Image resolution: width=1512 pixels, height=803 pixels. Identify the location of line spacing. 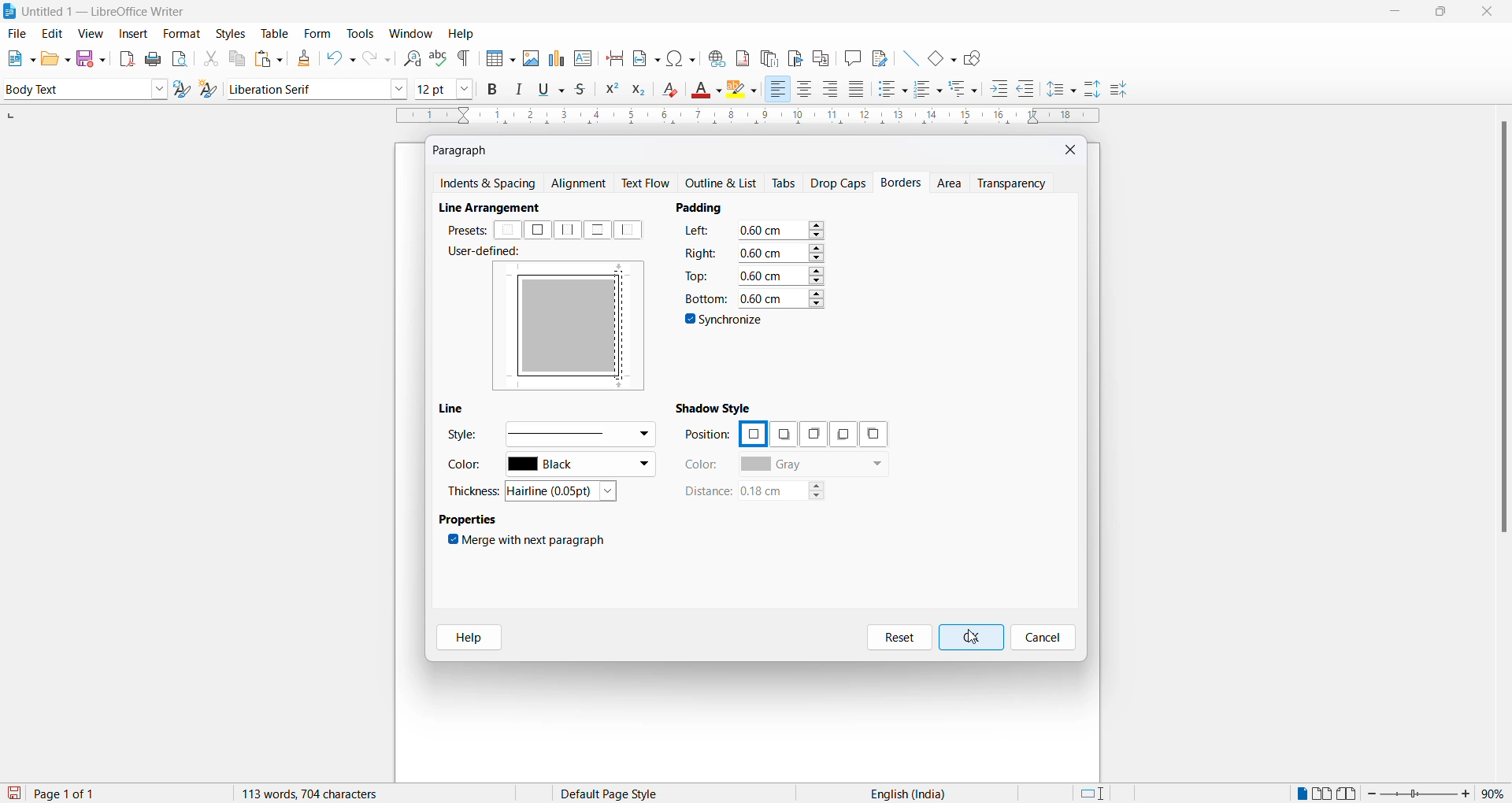
(1064, 90).